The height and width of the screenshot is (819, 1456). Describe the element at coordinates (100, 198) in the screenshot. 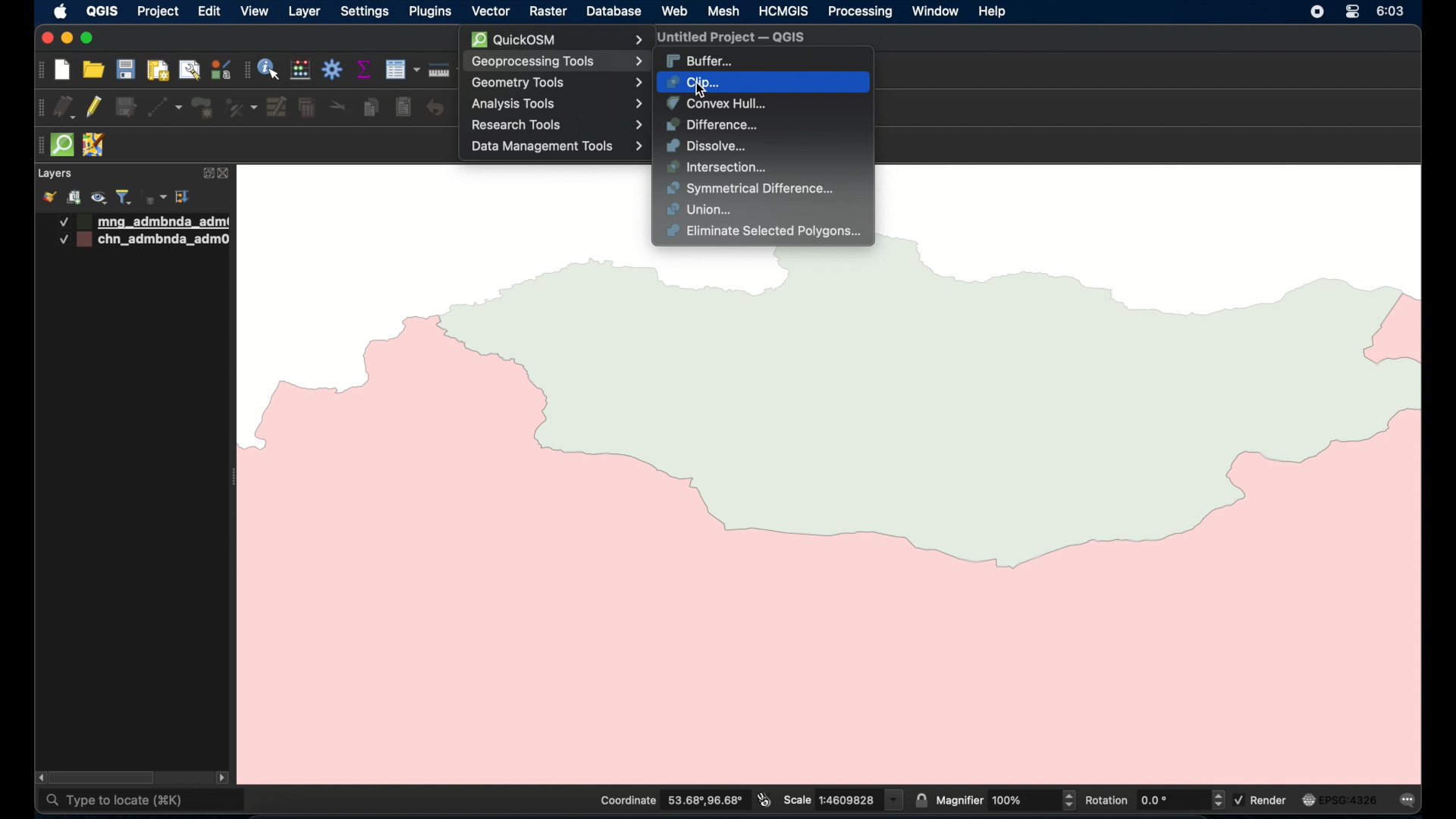

I see `manage map theme` at that location.